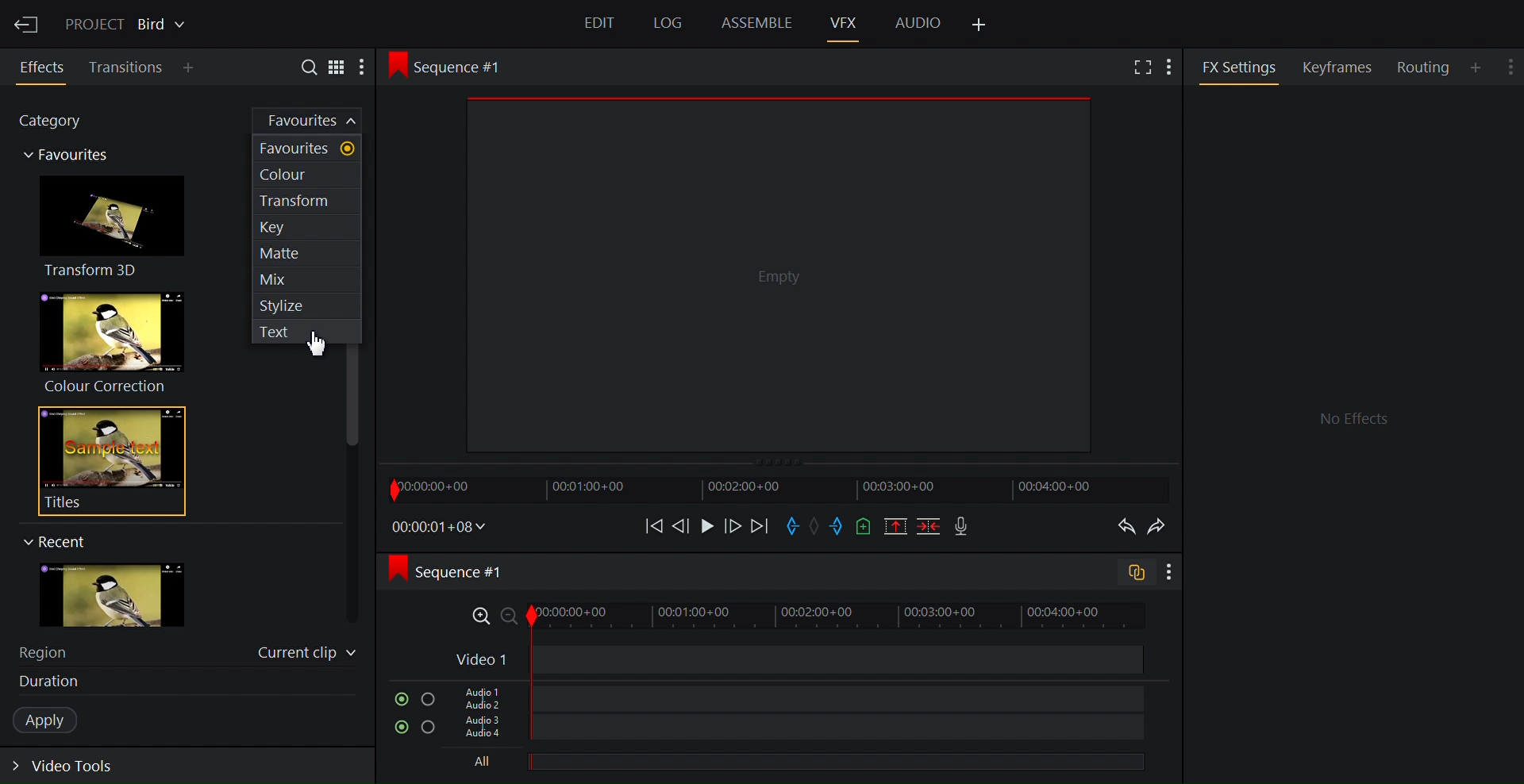 The image size is (1524, 784). Describe the element at coordinates (795, 525) in the screenshot. I see `Mark in` at that location.